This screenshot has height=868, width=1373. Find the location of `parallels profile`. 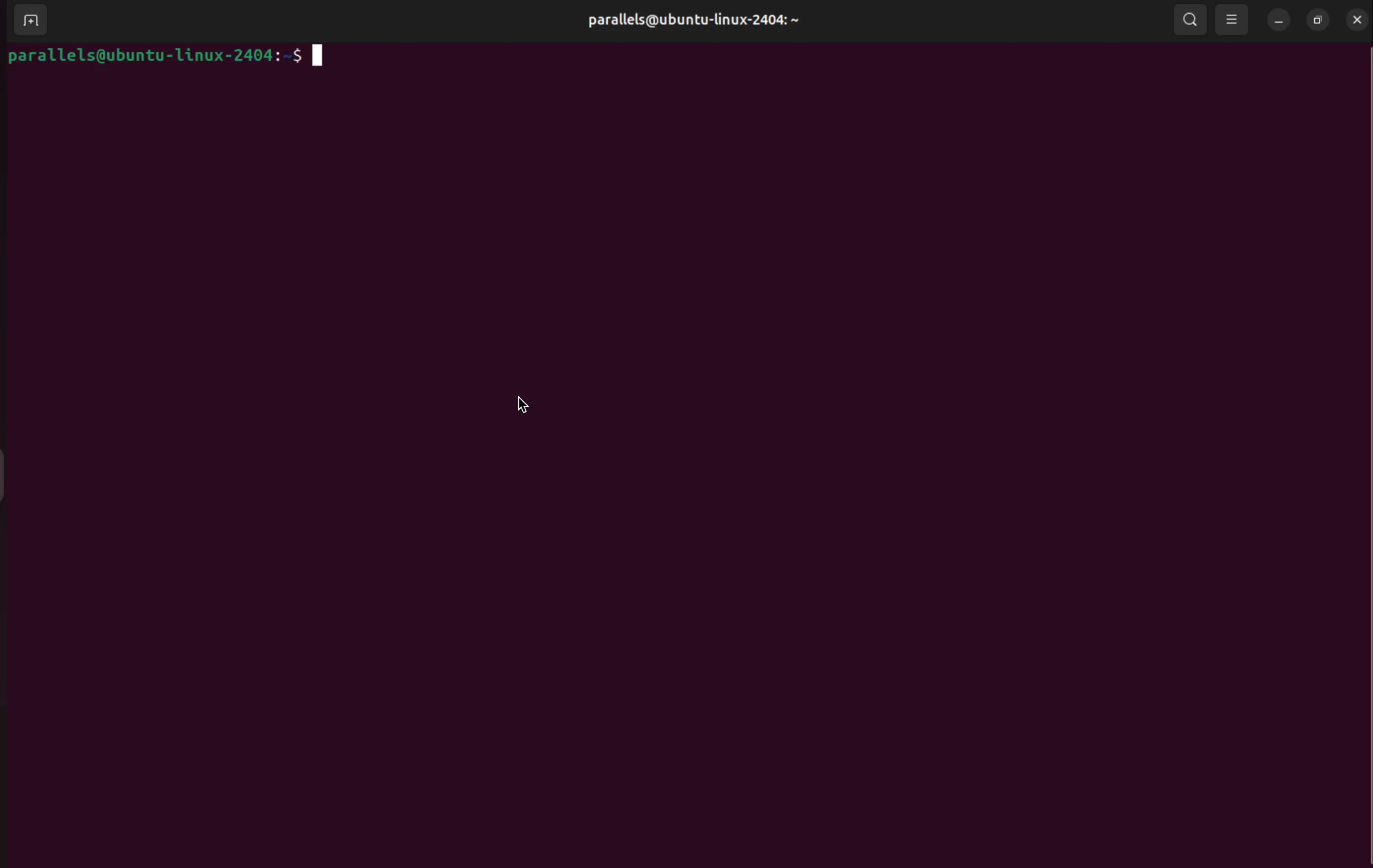

parallels profile is located at coordinates (689, 22).